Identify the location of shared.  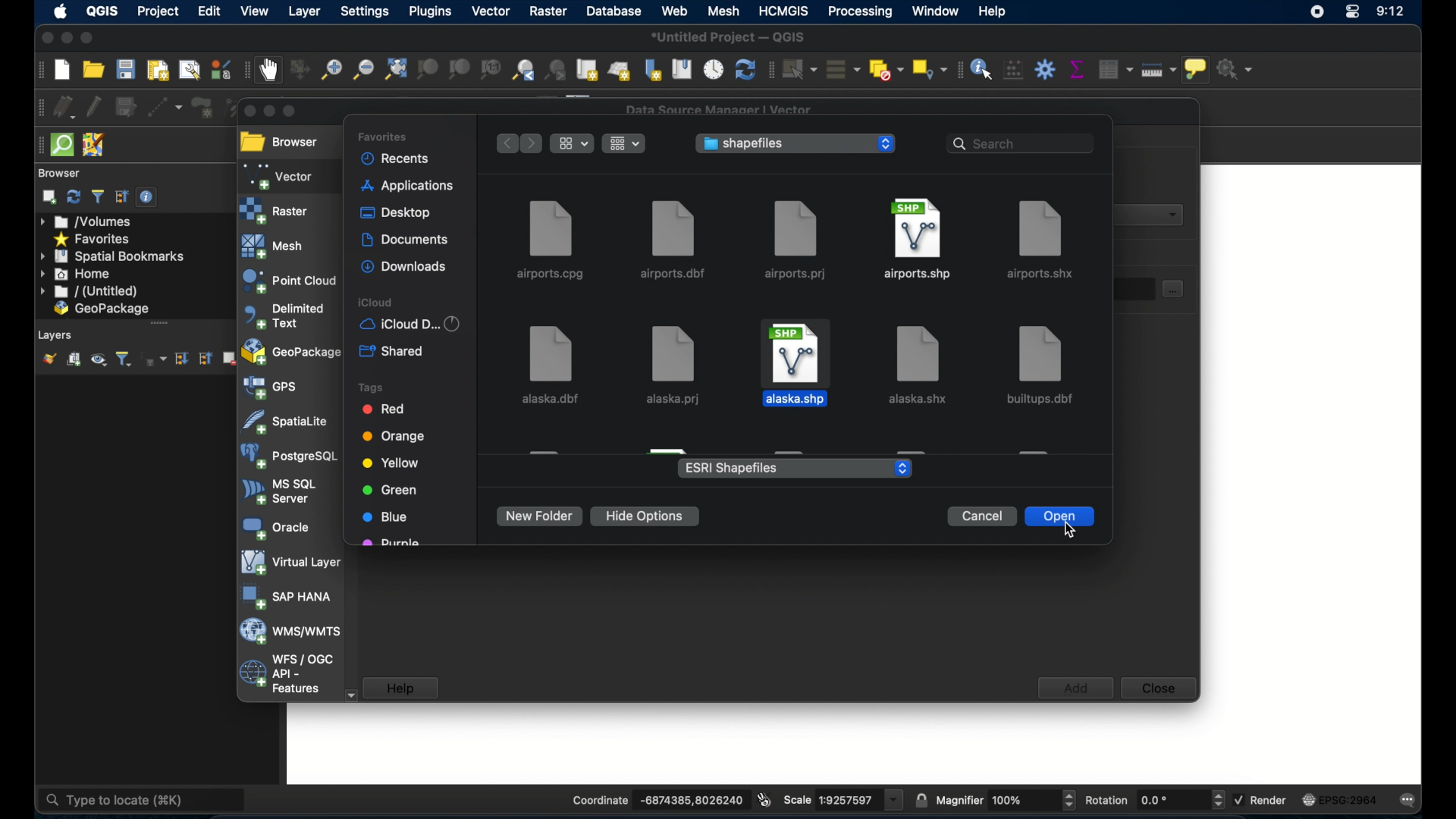
(391, 350).